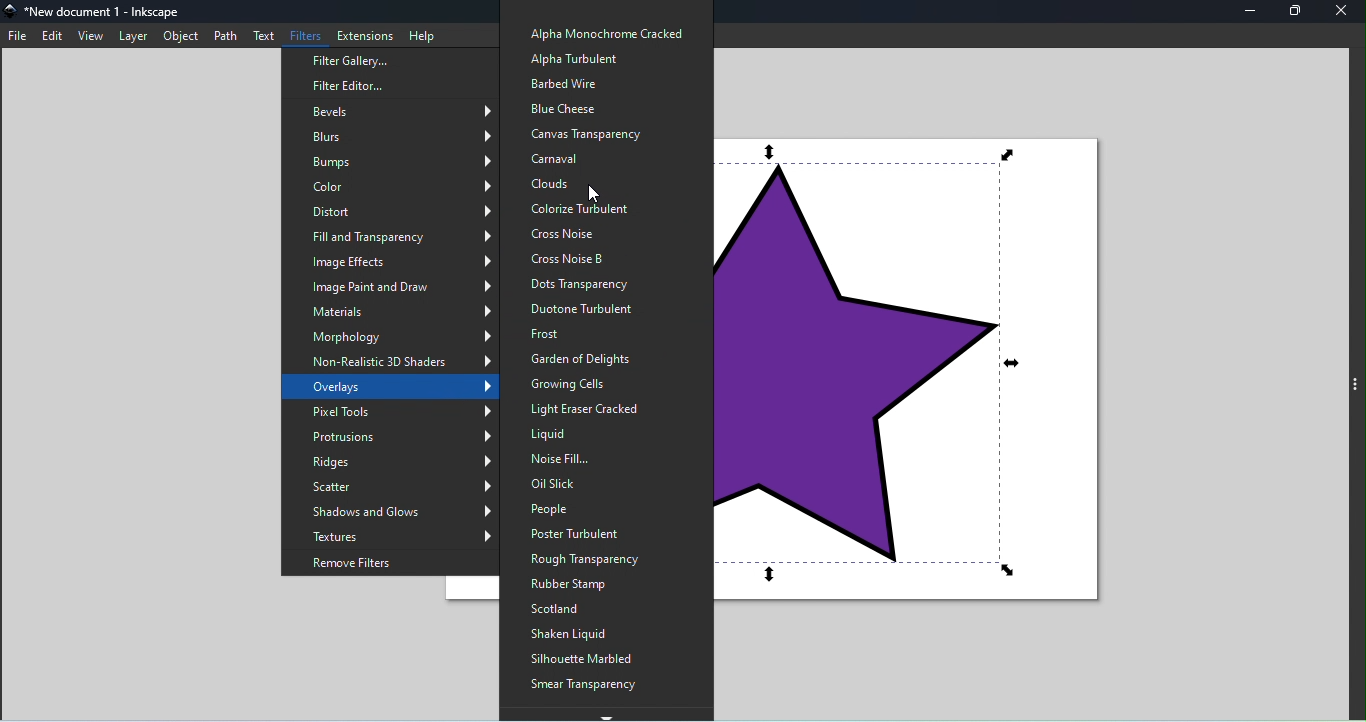  What do you see at coordinates (593, 411) in the screenshot?
I see `Light eraser cracked` at bounding box center [593, 411].